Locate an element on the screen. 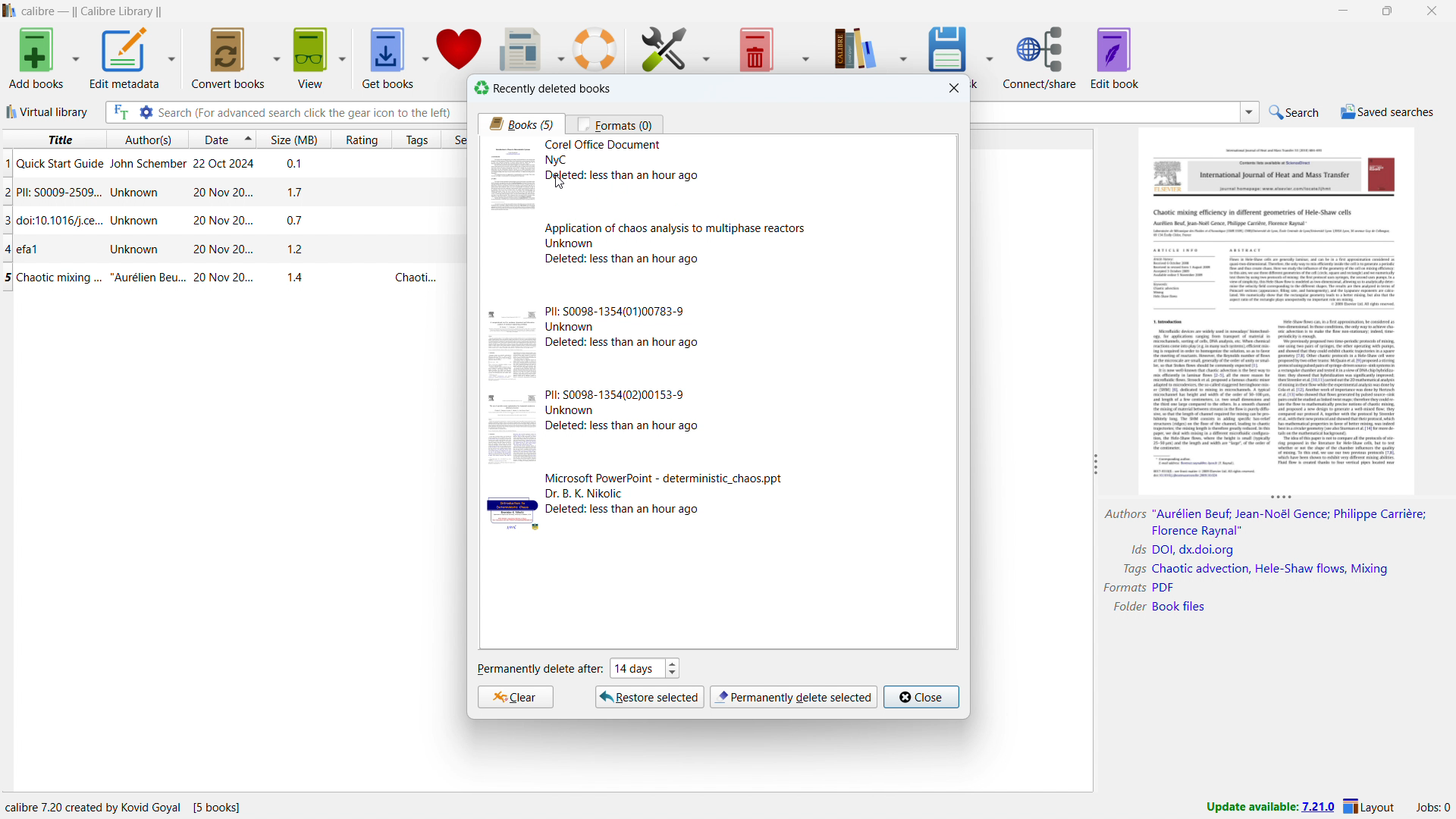 The width and height of the screenshot is (1456, 819). remove books is located at coordinates (755, 48).